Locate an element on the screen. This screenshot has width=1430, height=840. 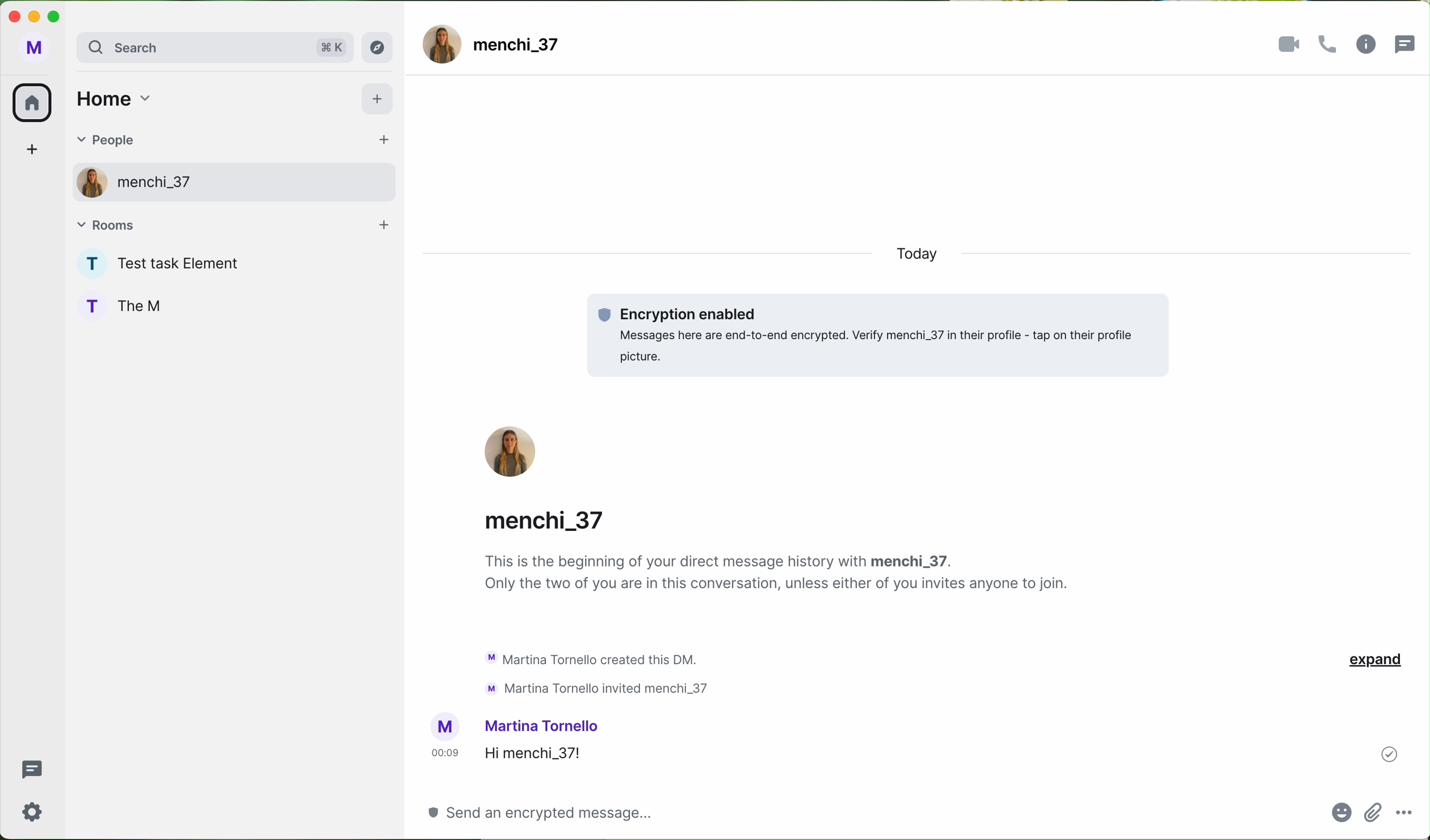
close  is located at coordinates (12, 15).